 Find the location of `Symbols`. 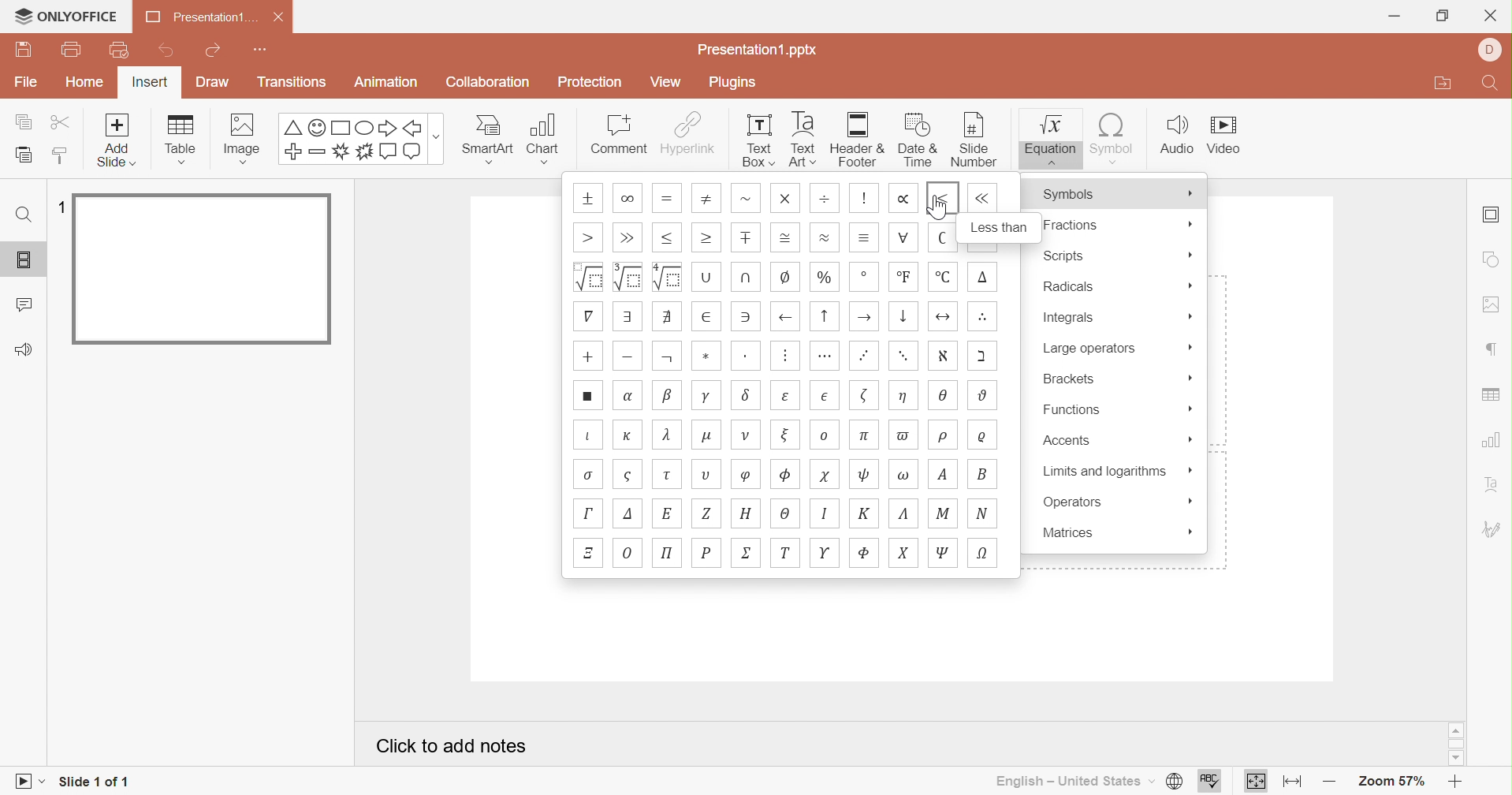

Symbols is located at coordinates (759, 377).